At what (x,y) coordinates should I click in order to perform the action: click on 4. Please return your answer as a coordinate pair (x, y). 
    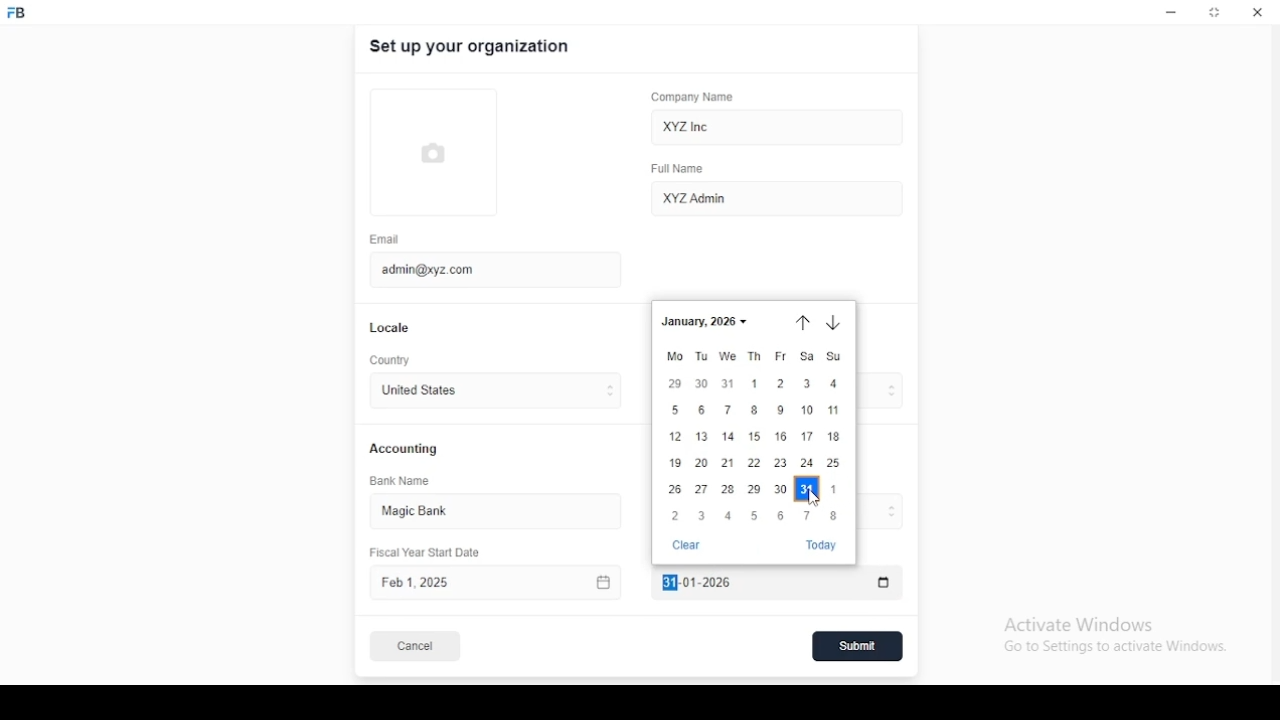
    Looking at the image, I should click on (727, 517).